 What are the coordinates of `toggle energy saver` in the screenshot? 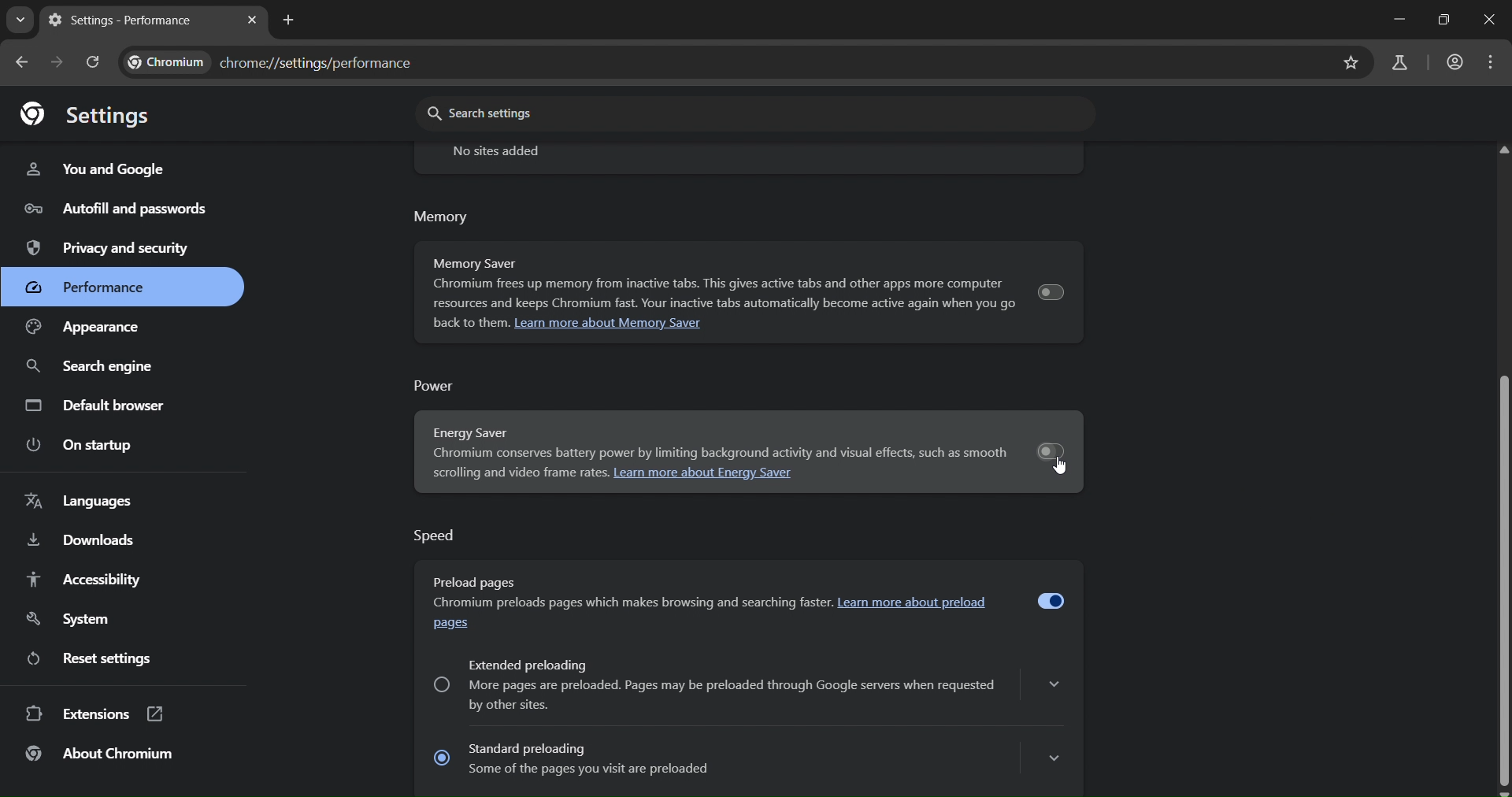 It's located at (1050, 449).